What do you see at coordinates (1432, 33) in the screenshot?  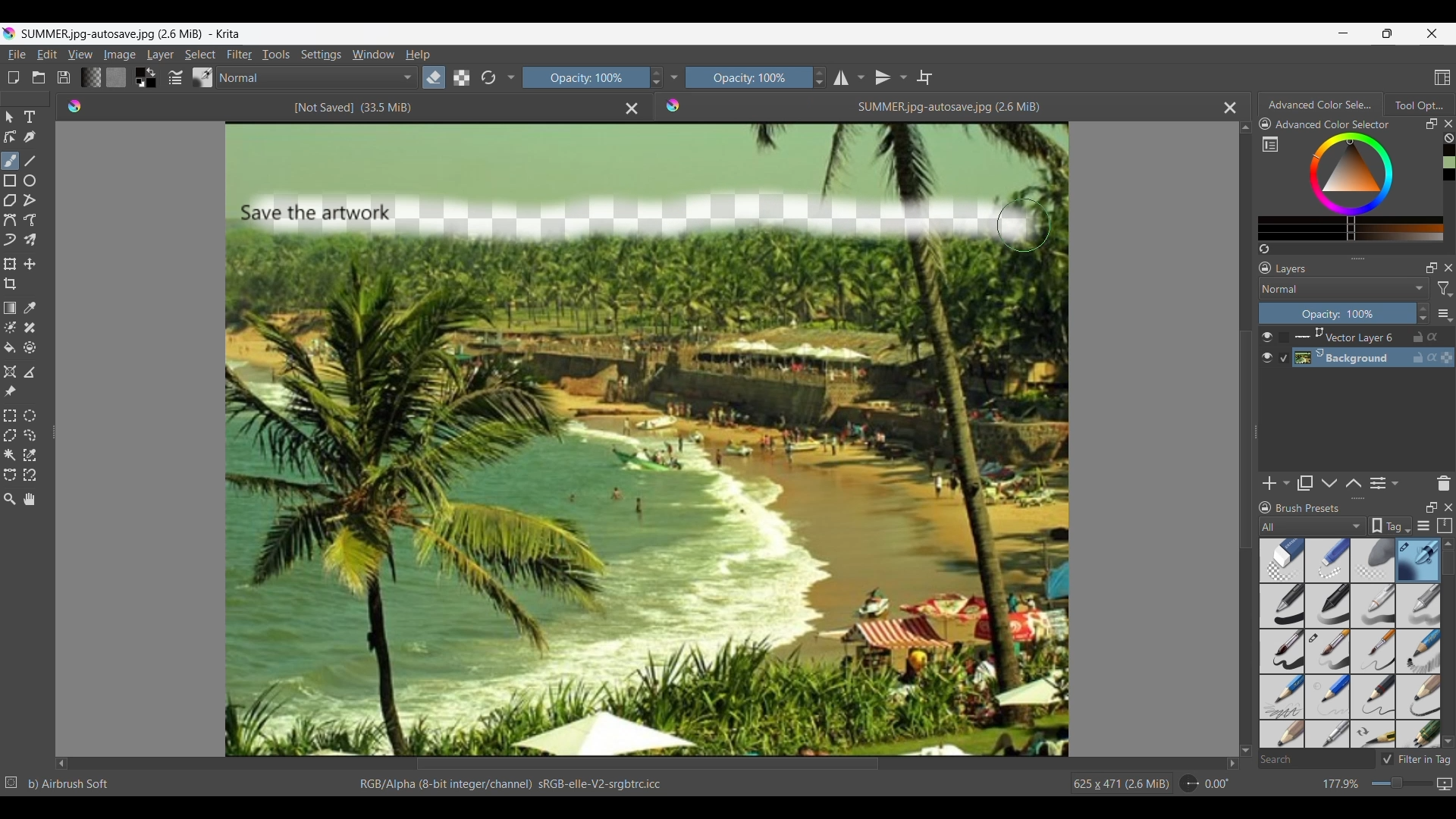 I see `Close interface` at bounding box center [1432, 33].